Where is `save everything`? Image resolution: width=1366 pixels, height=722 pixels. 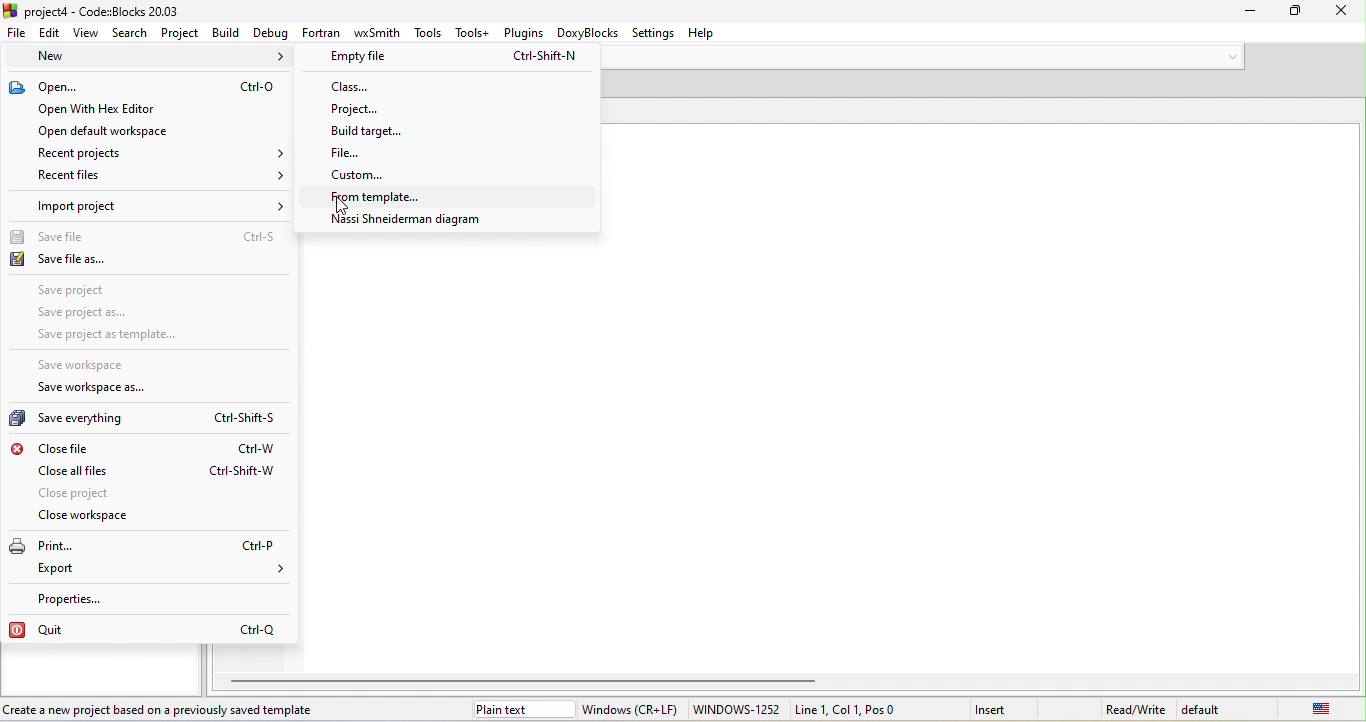
save everything is located at coordinates (147, 416).